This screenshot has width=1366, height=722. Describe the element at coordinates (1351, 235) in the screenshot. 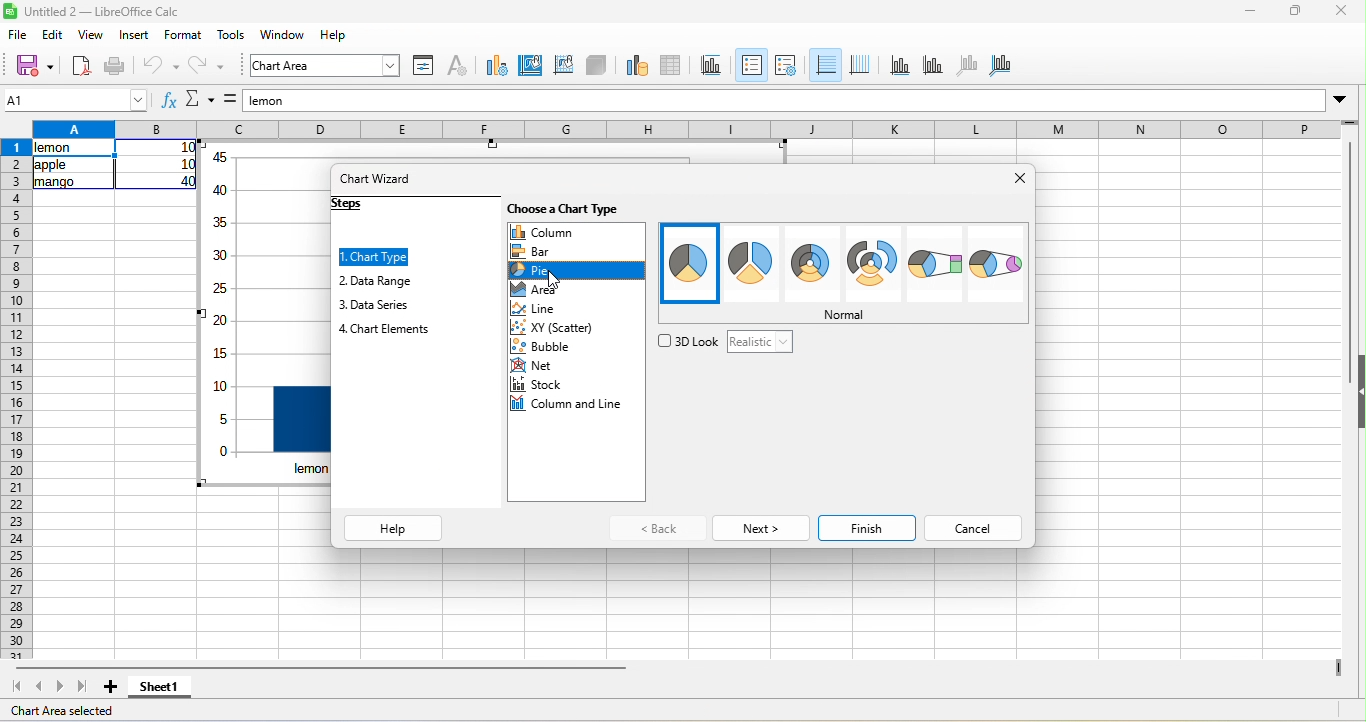

I see `vertical scroll bar` at that location.